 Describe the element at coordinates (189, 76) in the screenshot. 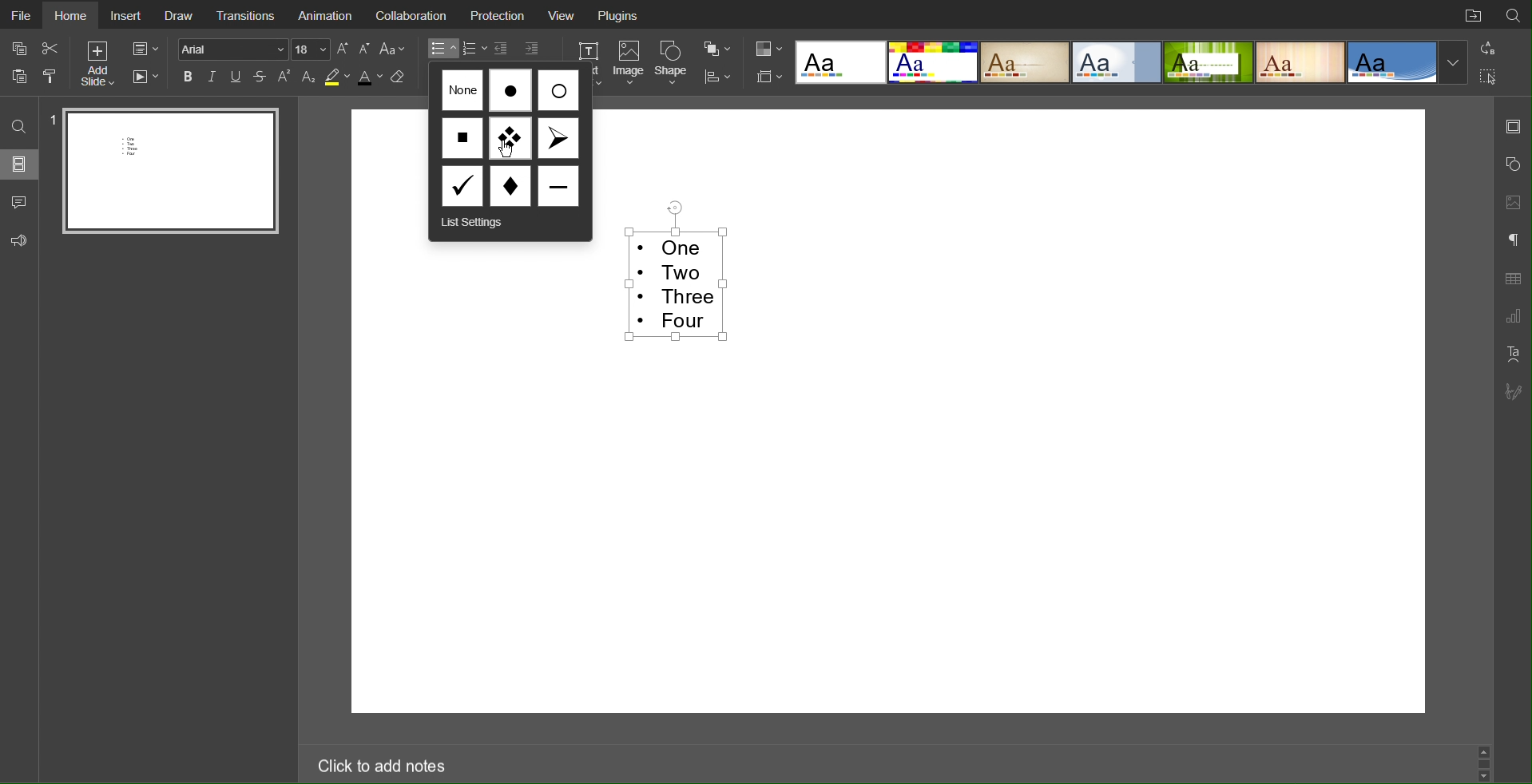

I see `Bold` at that location.